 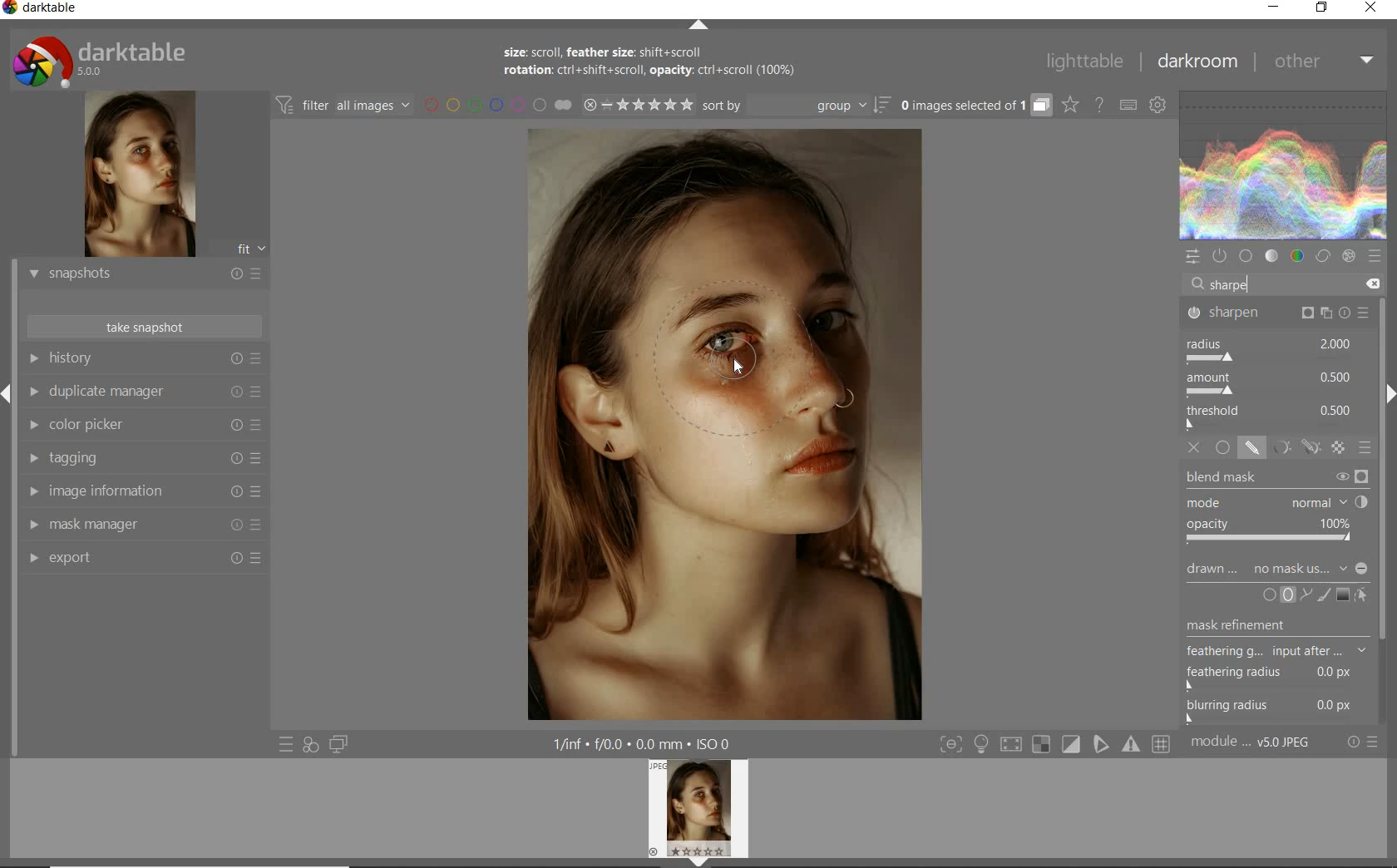 I want to click on CURSOR, so click(x=741, y=371).